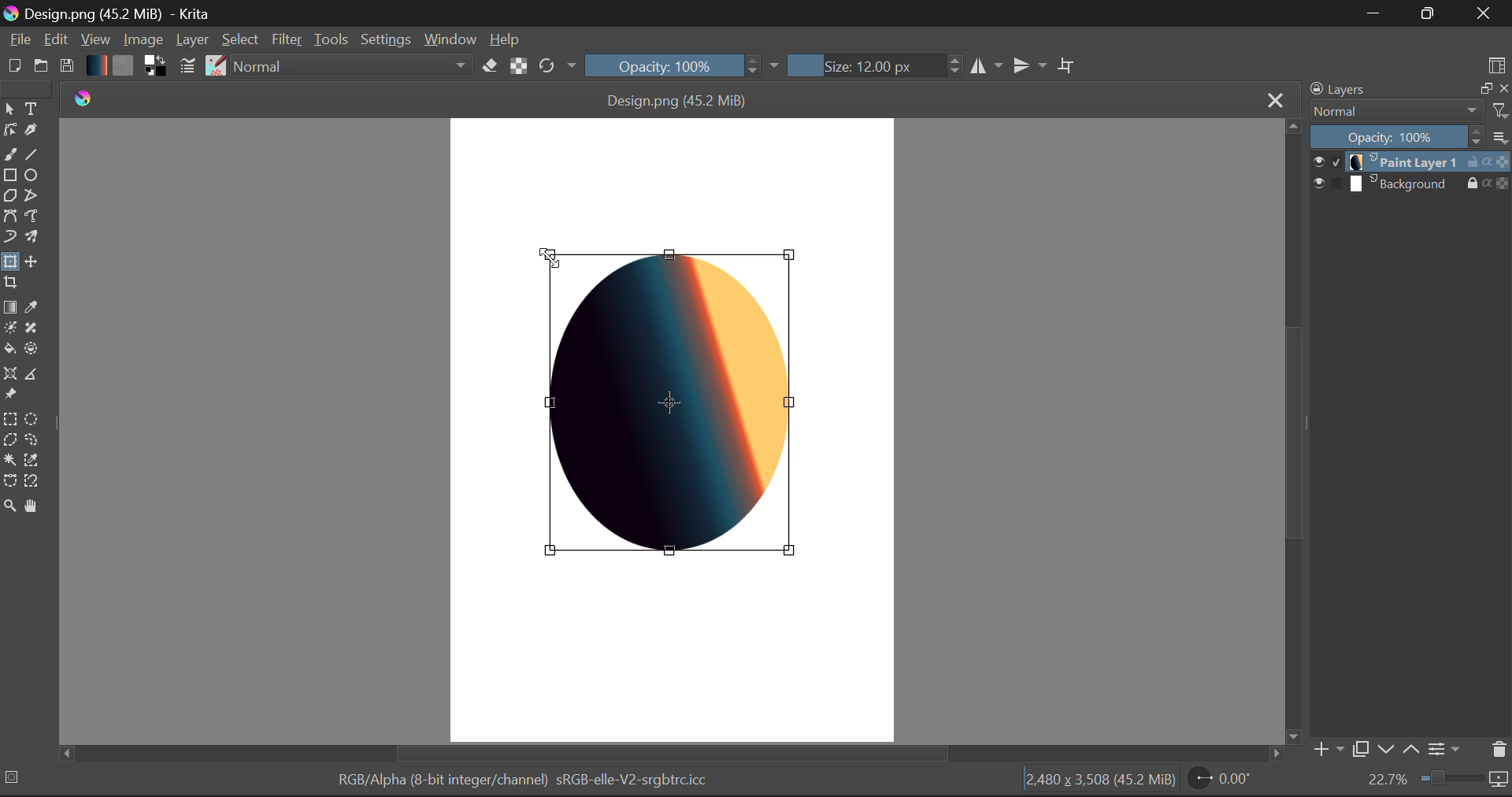 This screenshot has width=1512, height=797. What do you see at coordinates (242, 40) in the screenshot?
I see `Select` at bounding box center [242, 40].